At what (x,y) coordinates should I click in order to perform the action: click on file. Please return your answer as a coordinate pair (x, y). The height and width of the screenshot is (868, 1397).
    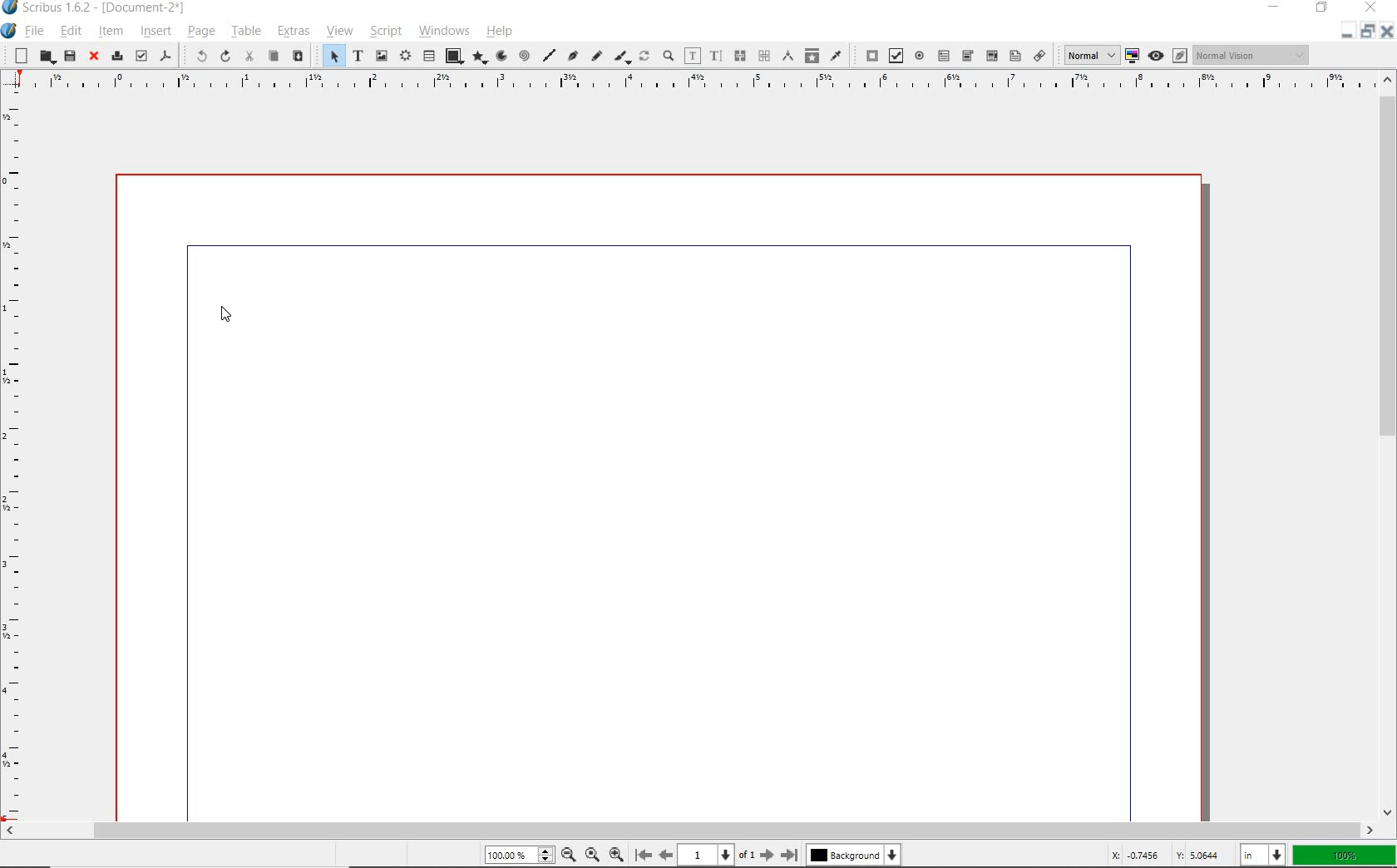
    Looking at the image, I should click on (35, 31).